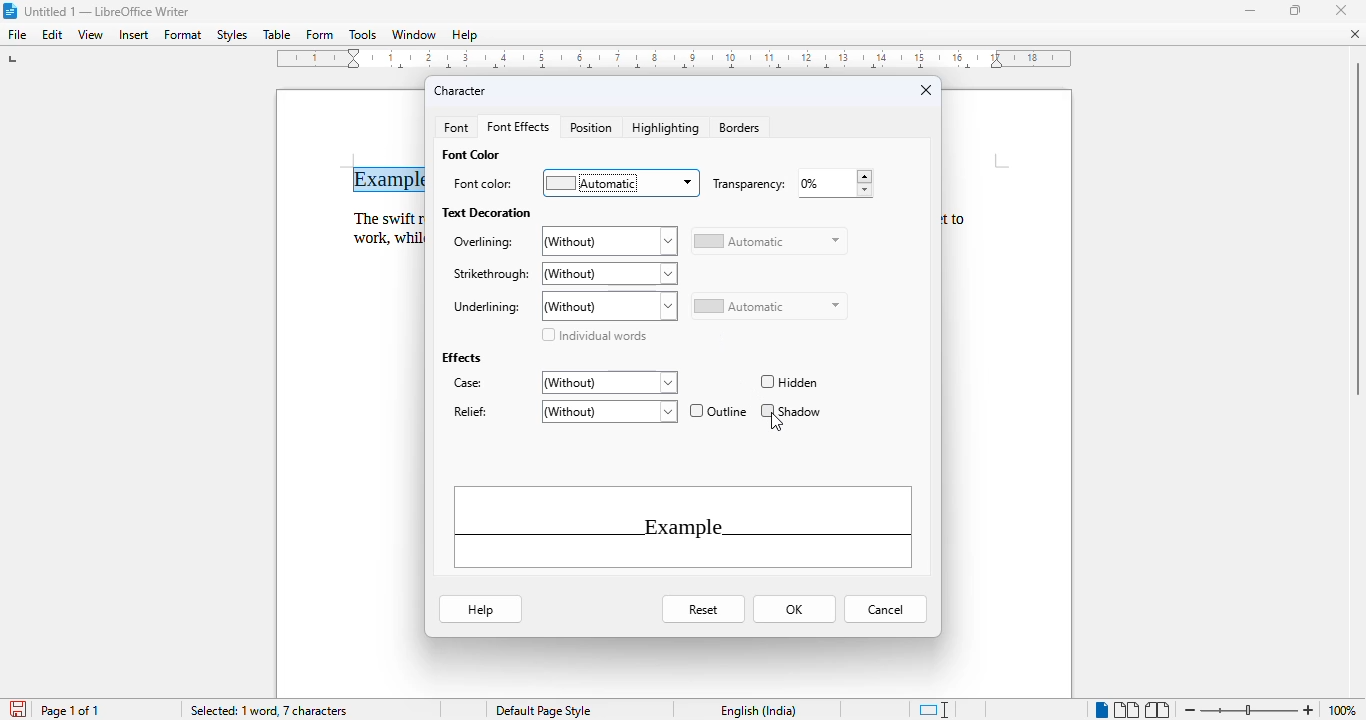 The height and width of the screenshot is (720, 1366). What do you see at coordinates (1340, 11) in the screenshot?
I see `close` at bounding box center [1340, 11].